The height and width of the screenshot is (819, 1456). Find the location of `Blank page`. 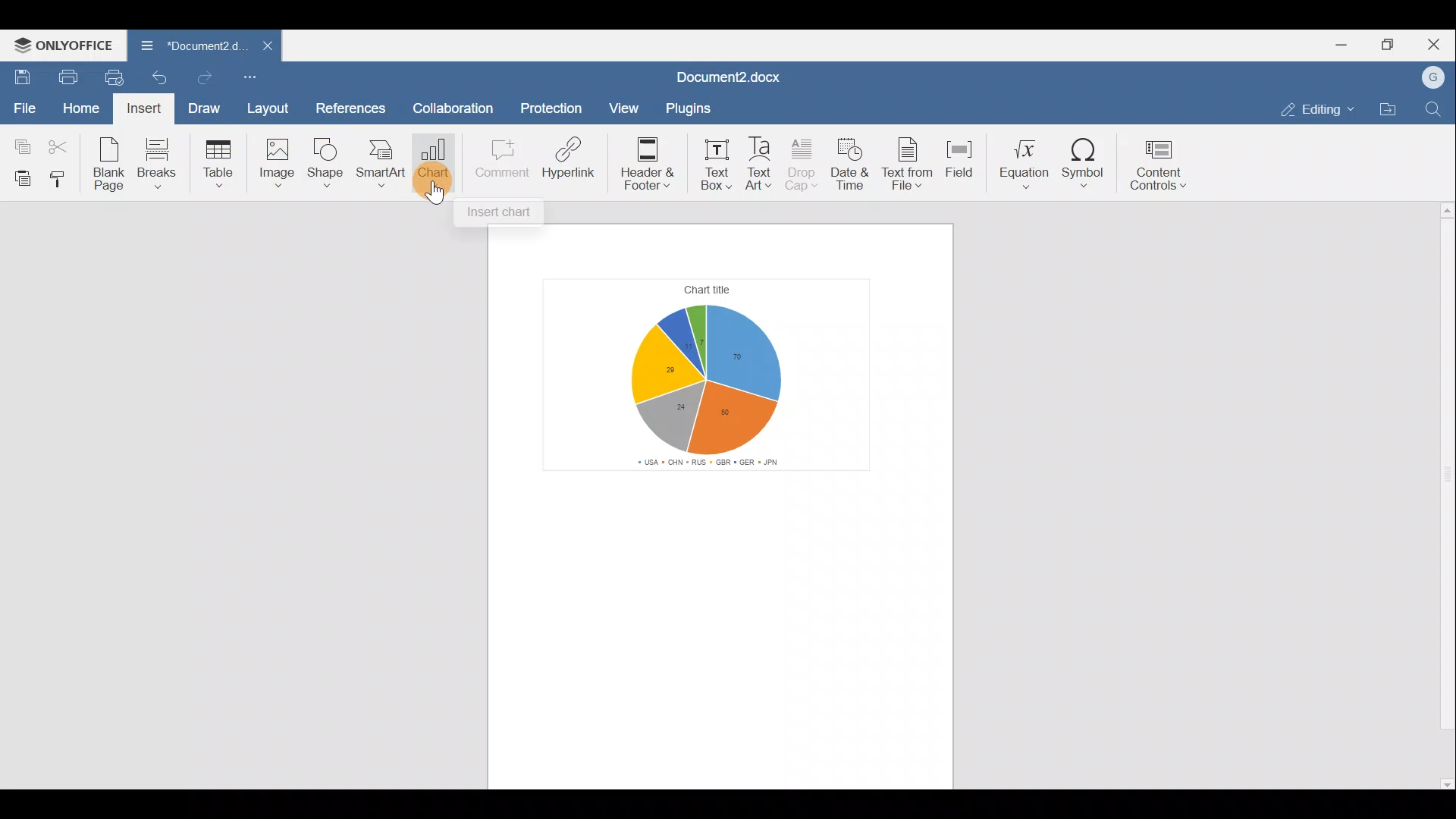

Blank page is located at coordinates (111, 165).